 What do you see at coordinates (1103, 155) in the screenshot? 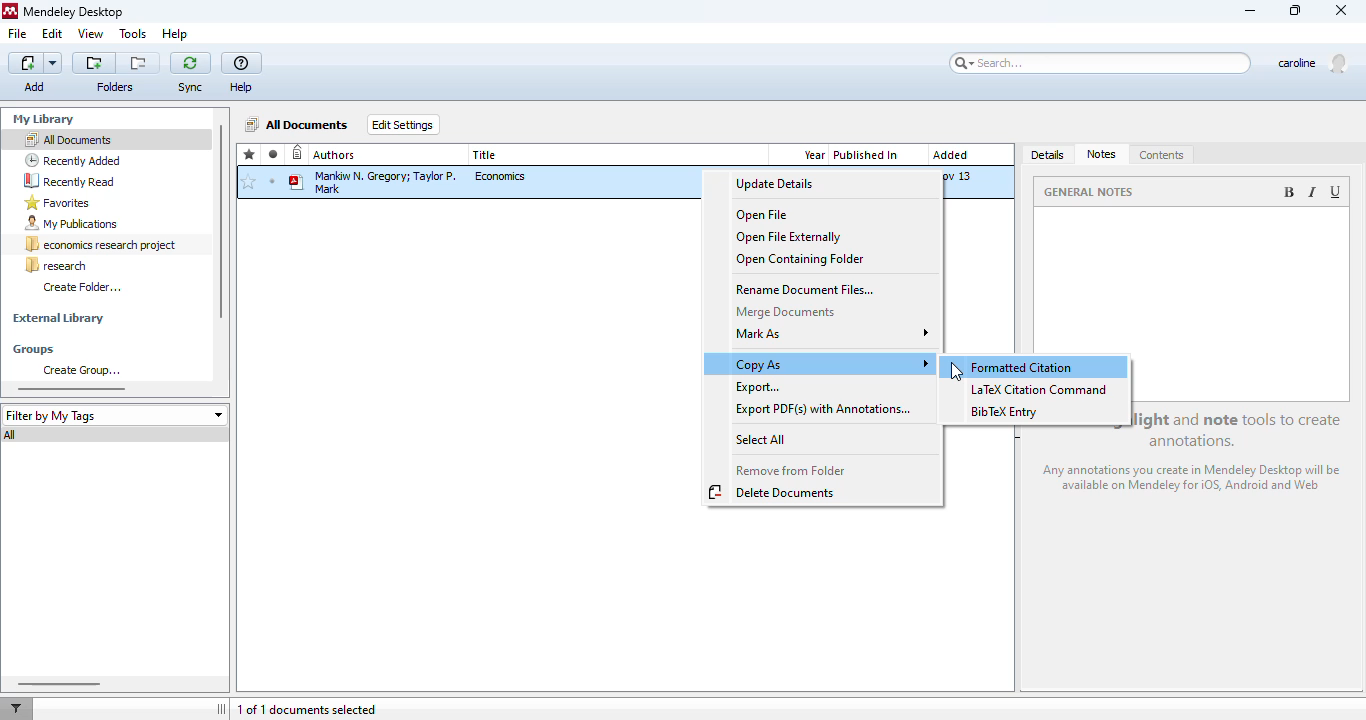
I see `notes` at bounding box center [1103, 155].